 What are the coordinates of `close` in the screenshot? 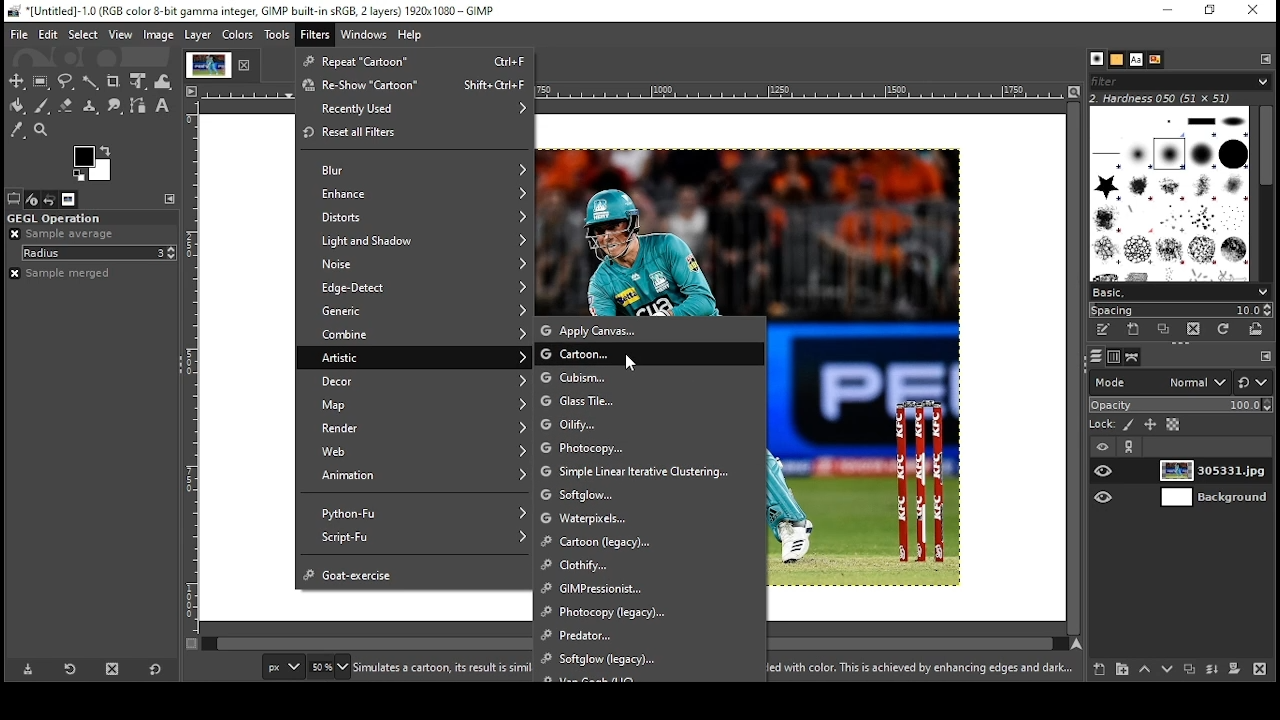 It's located at (247, 64).